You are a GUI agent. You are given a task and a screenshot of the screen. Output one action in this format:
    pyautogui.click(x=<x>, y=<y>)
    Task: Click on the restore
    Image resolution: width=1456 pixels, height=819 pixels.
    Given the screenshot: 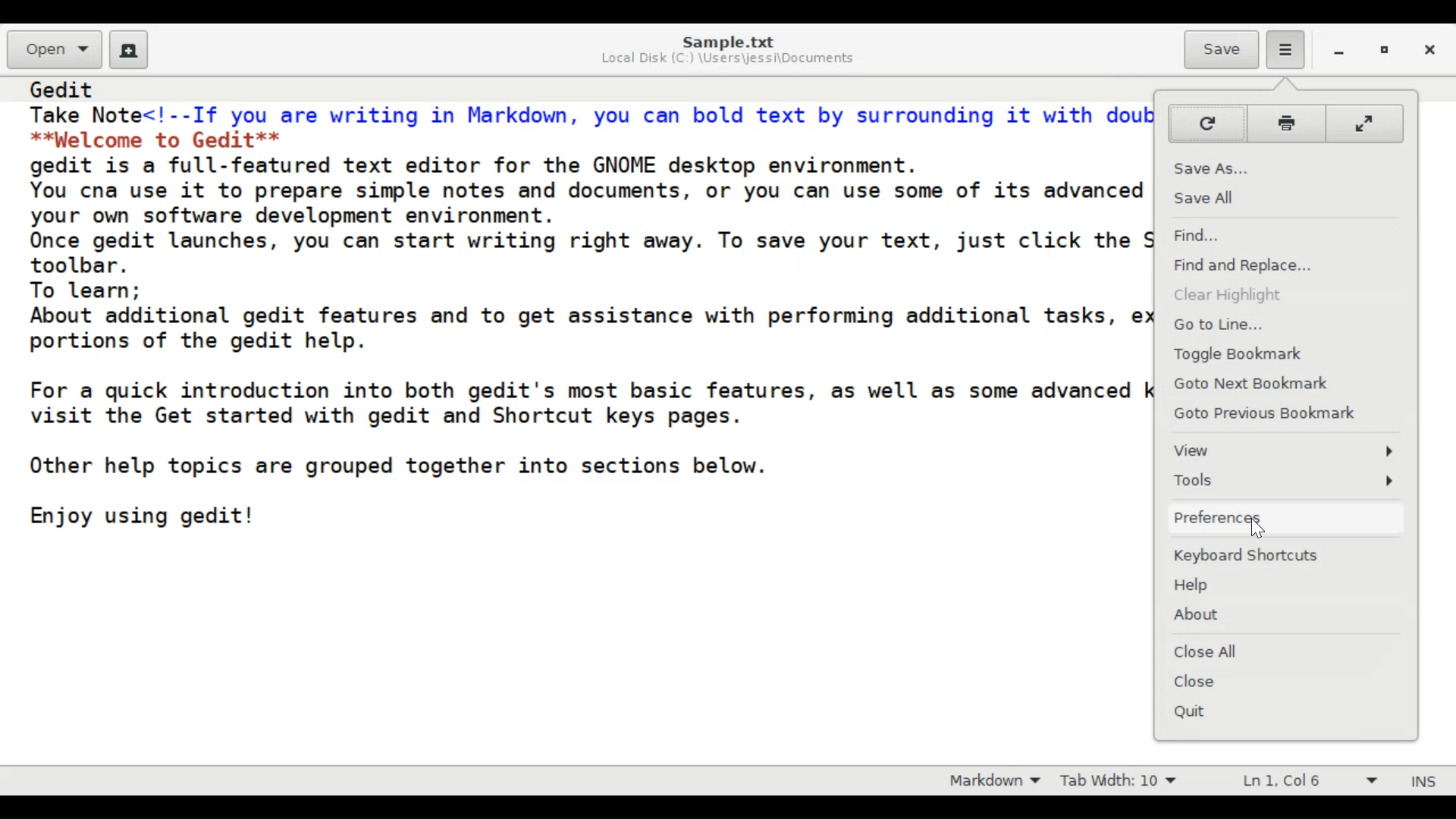 What is the action you would take?
    pyautogui.click(x=1389, y=53)
    